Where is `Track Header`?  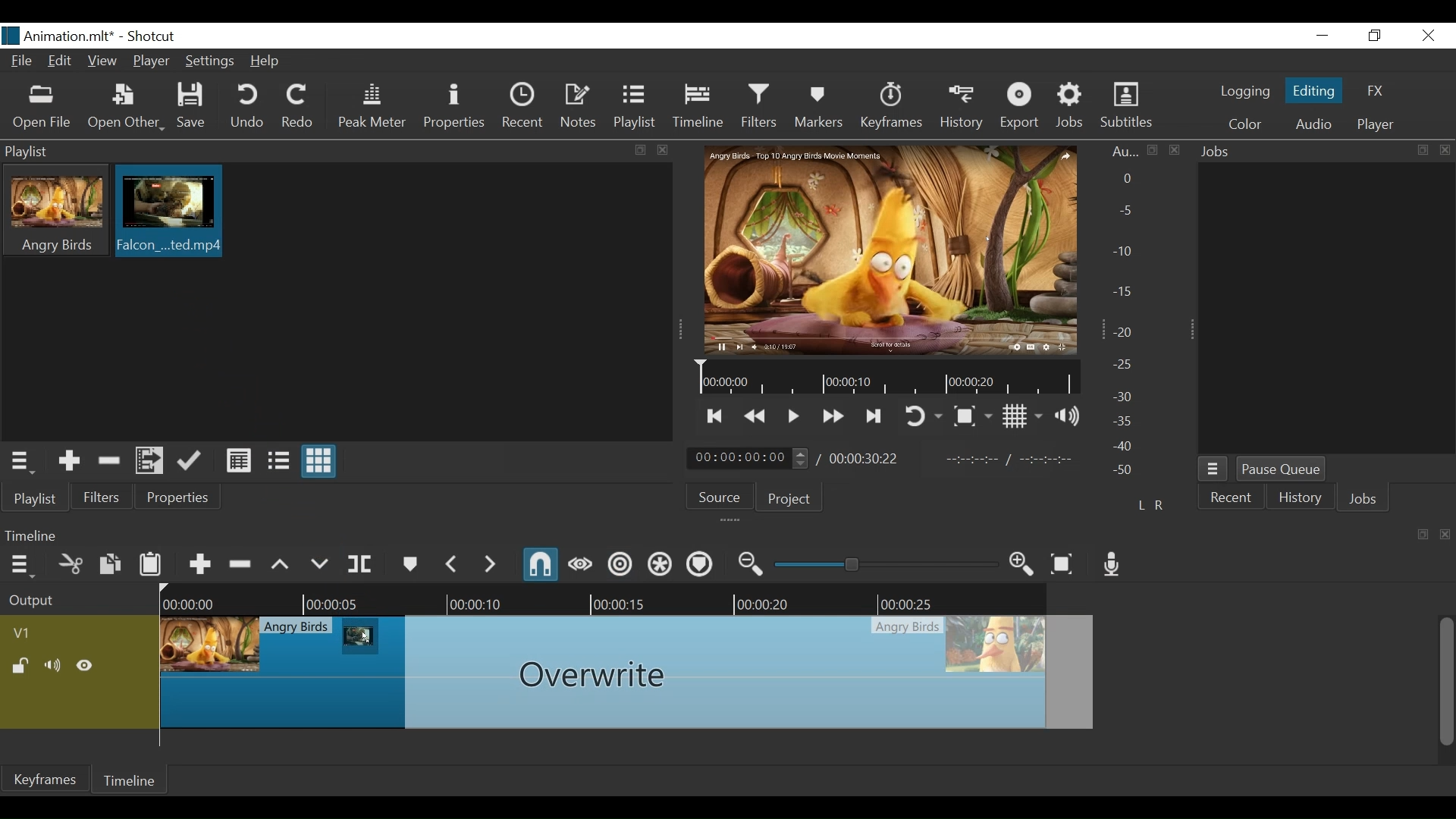
Track Header is located at coordinates (24, 633).